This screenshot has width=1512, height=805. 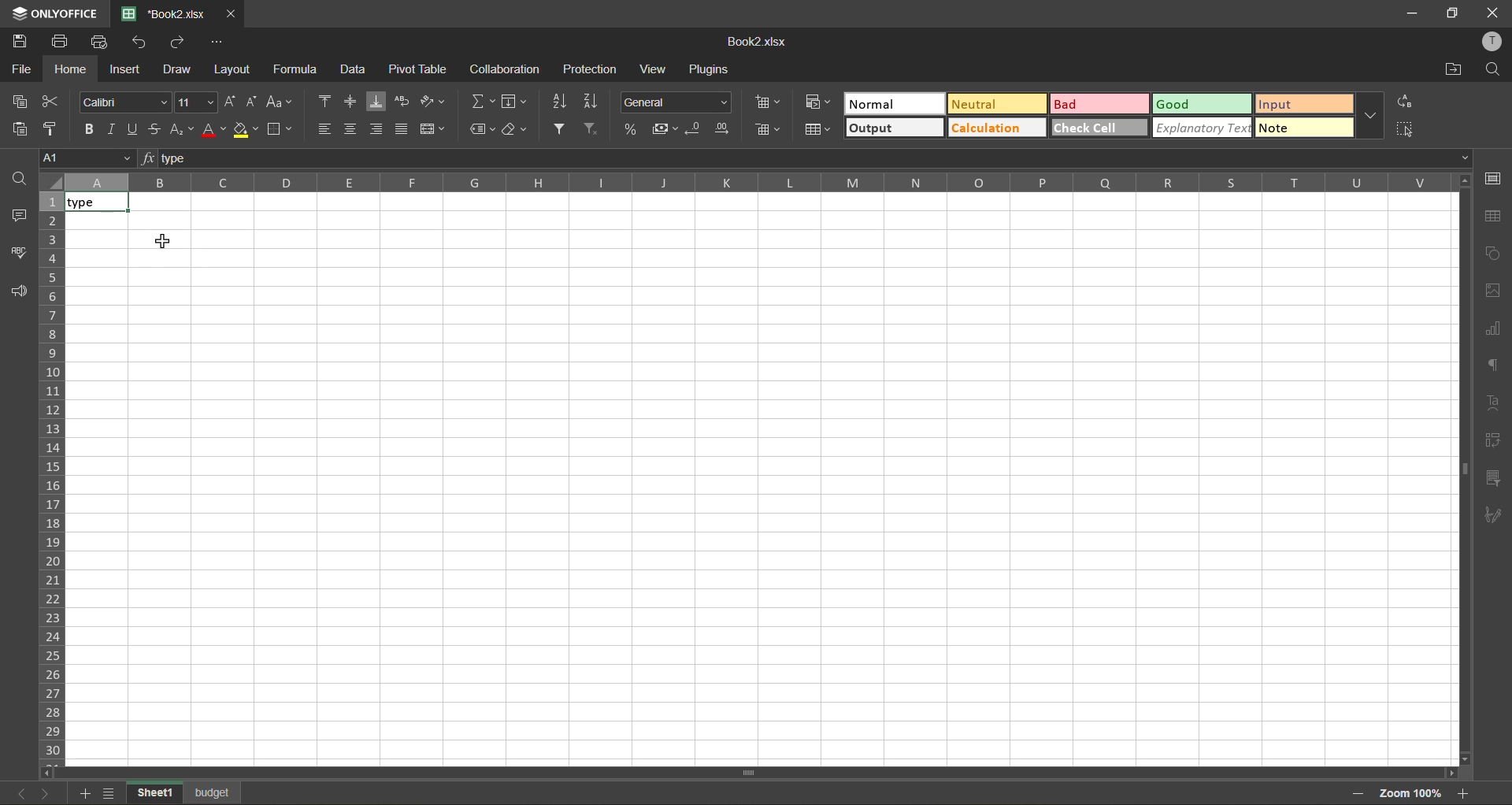 I want to click on check cell, so click(x=1099, y=128).